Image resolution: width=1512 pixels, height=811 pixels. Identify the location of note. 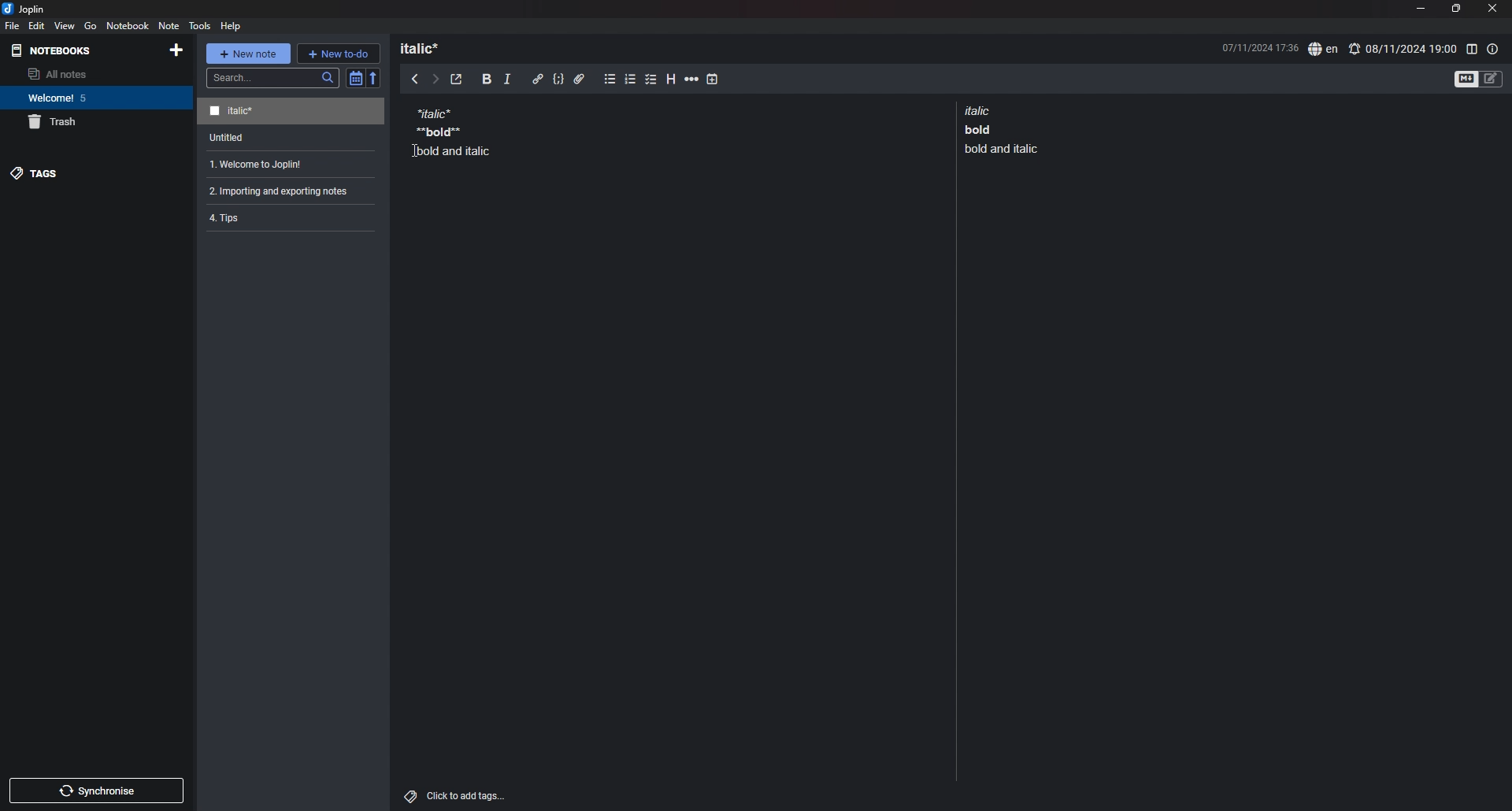
(285, 217).